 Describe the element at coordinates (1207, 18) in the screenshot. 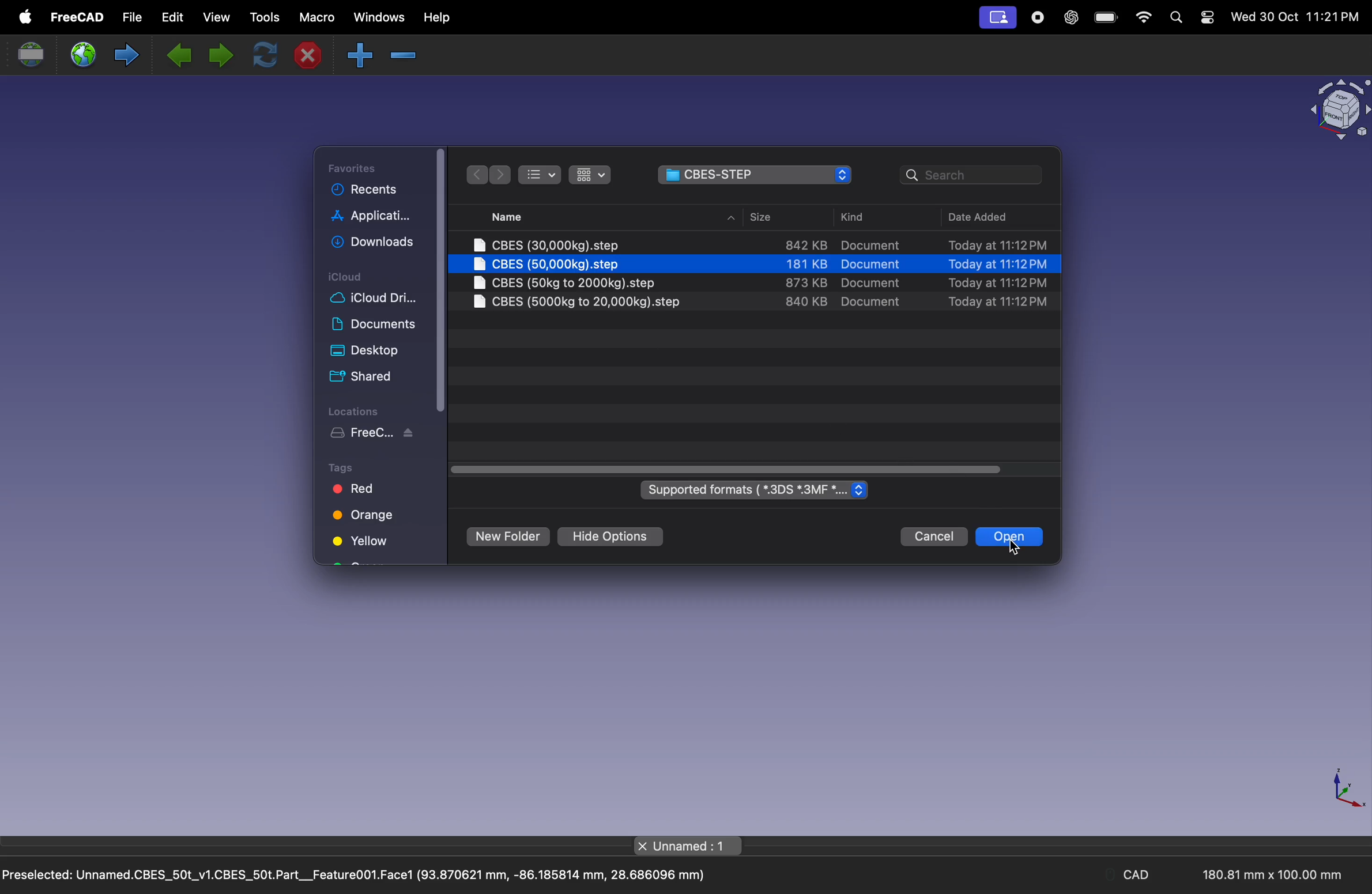

I see `settings` at that location.